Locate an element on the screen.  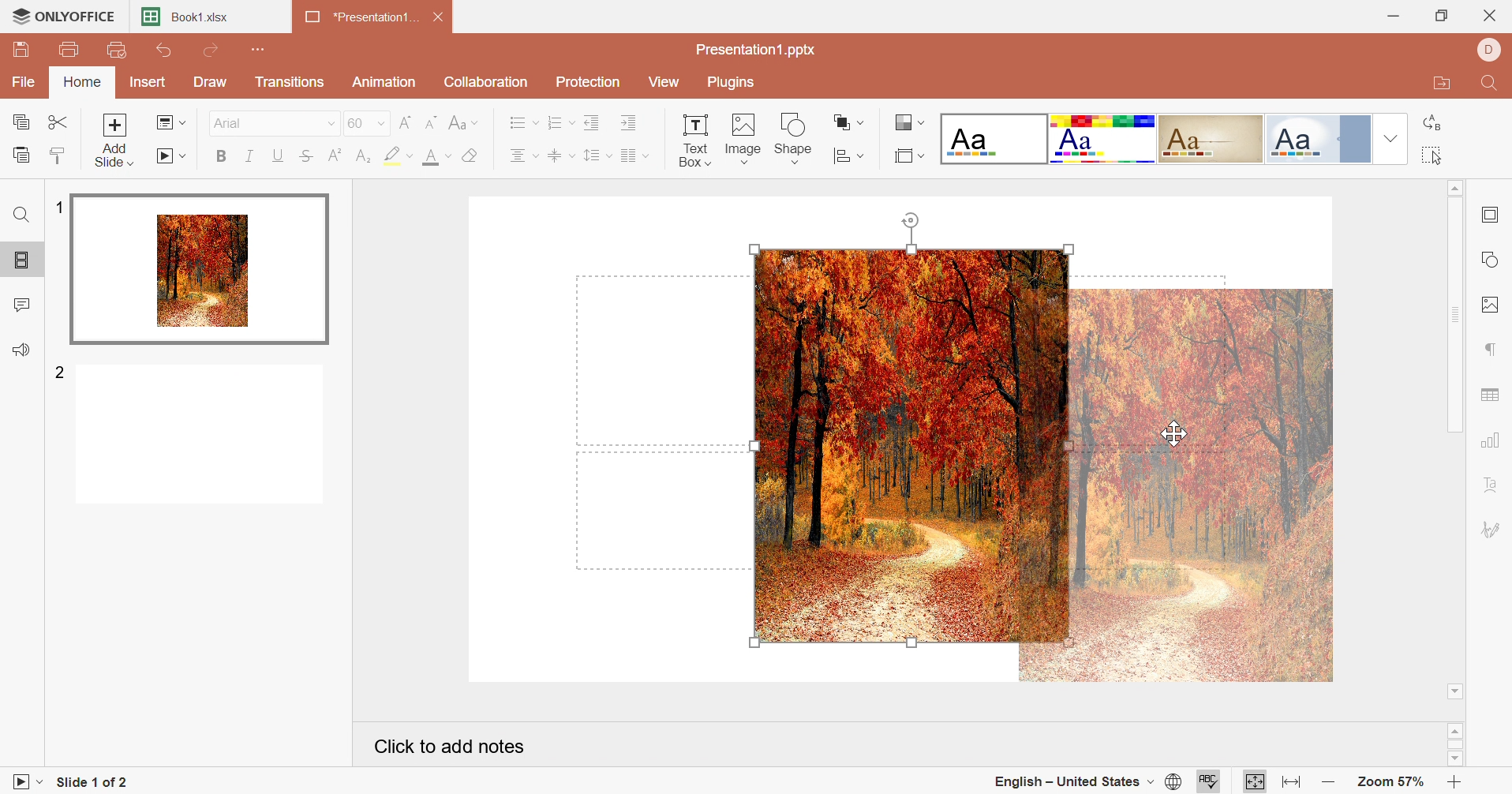
Text Art settings is located at coordinates (1494, 484).